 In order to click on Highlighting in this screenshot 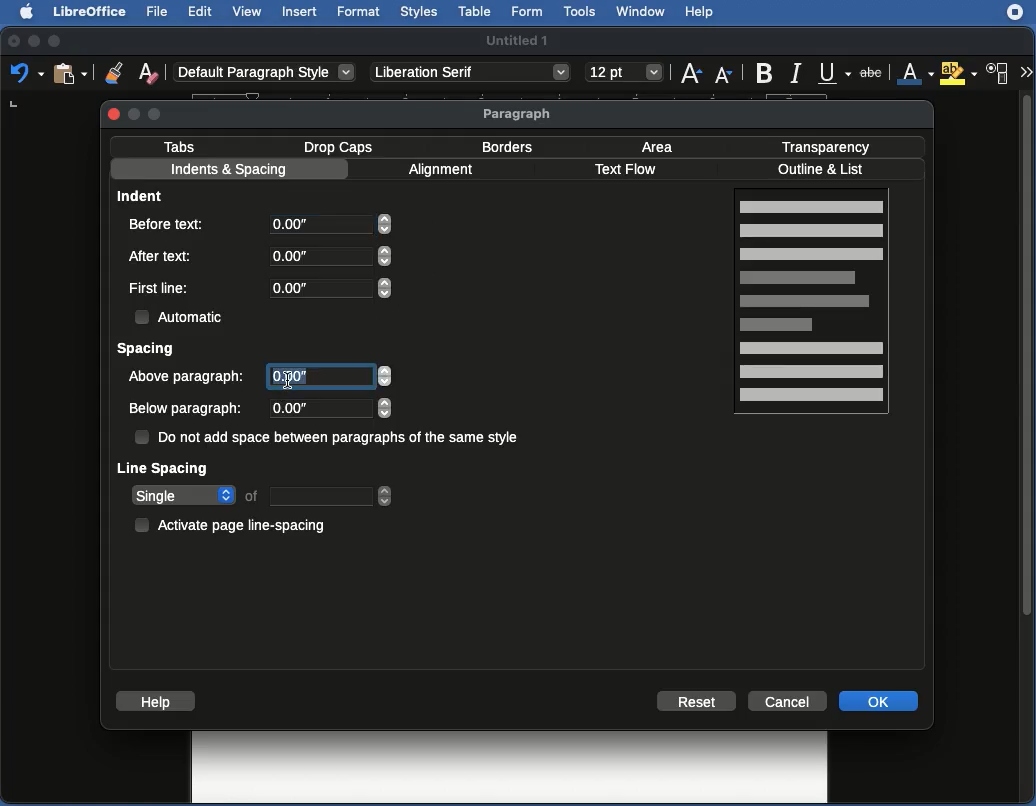, I will do `click(960, 73)`.